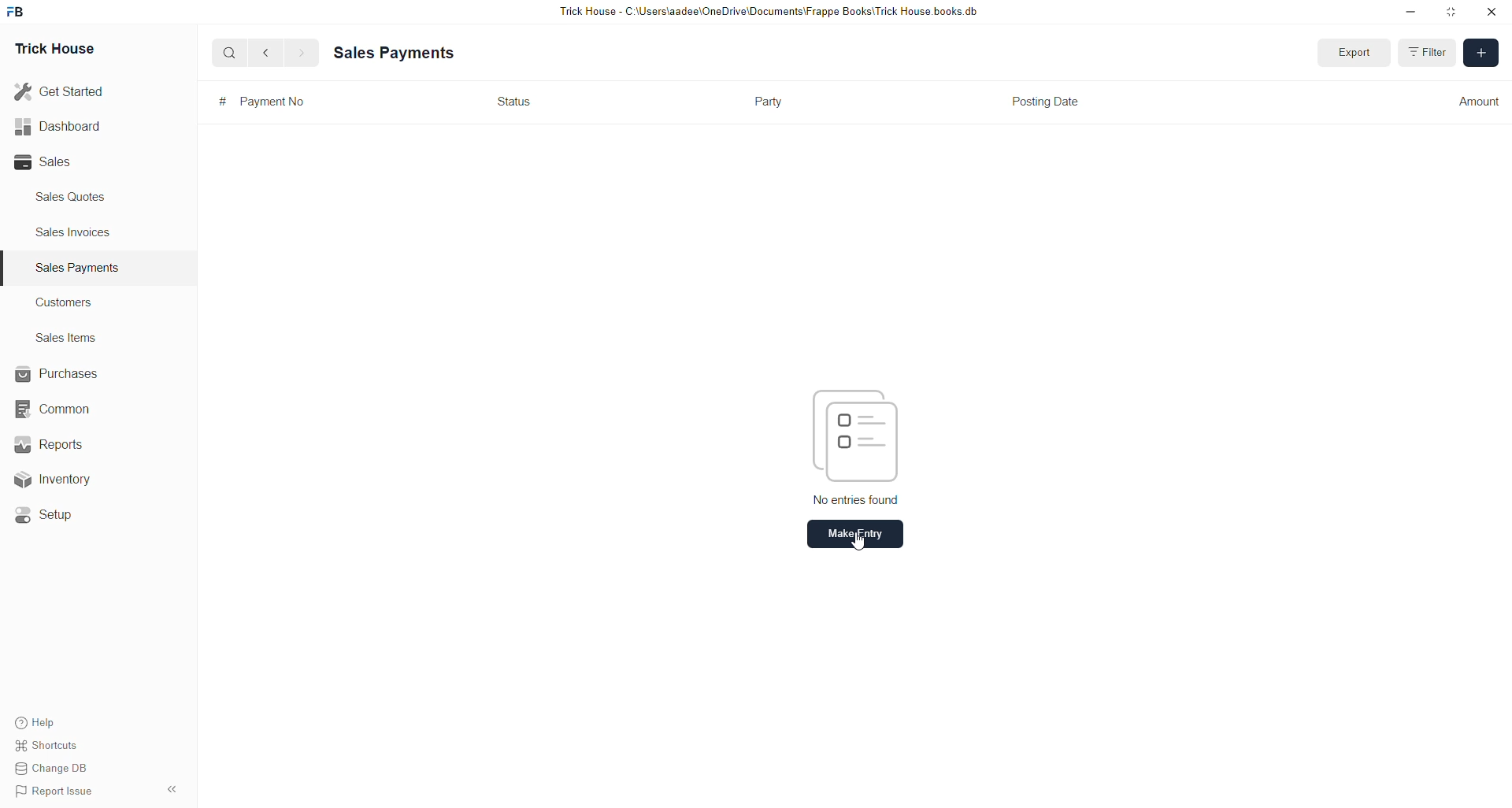 This screenshot has height=808, width=1512. What do you see at coordinates (396, 54) in the screenshot?
I see `Sales Payments` at bounding box center [396, 54].